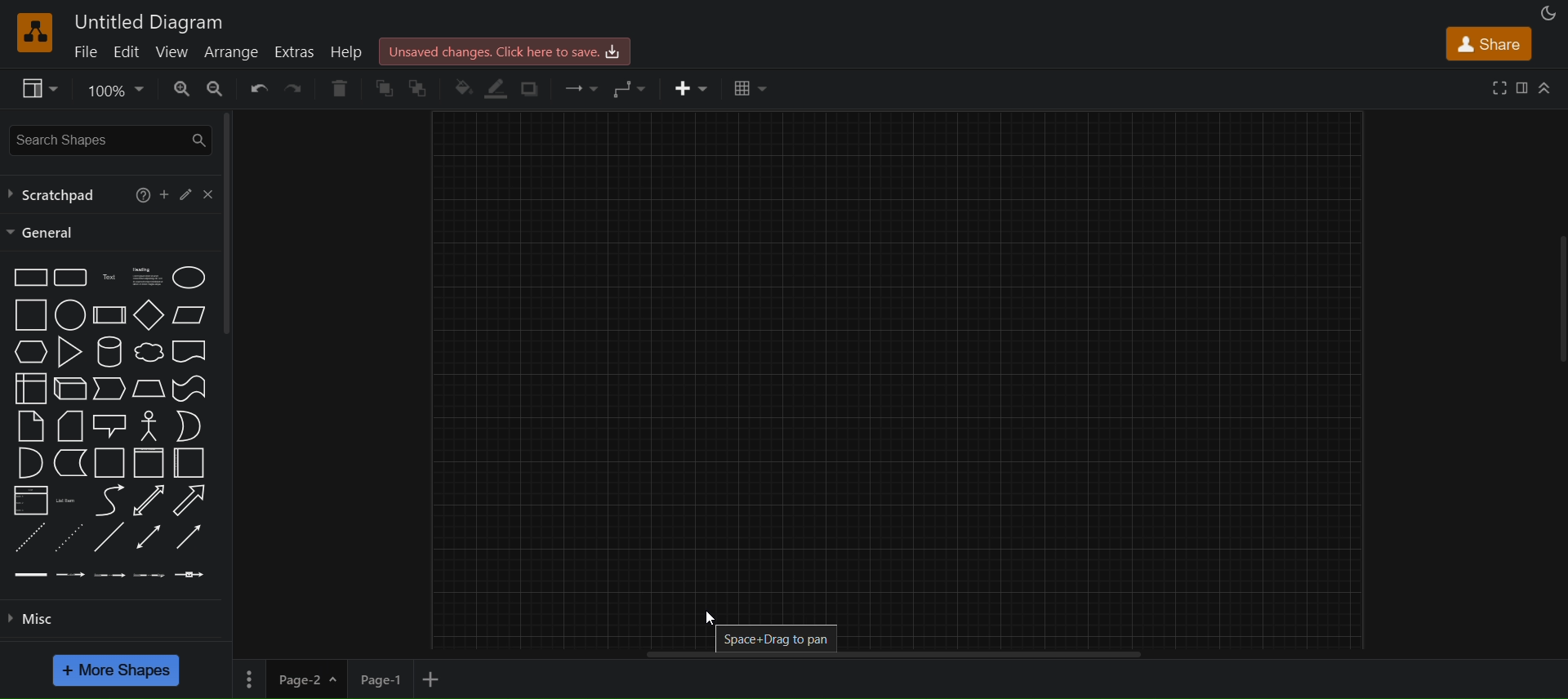 This screenshot has width=1568, height=699. I want to click on process, so click(107, 315).